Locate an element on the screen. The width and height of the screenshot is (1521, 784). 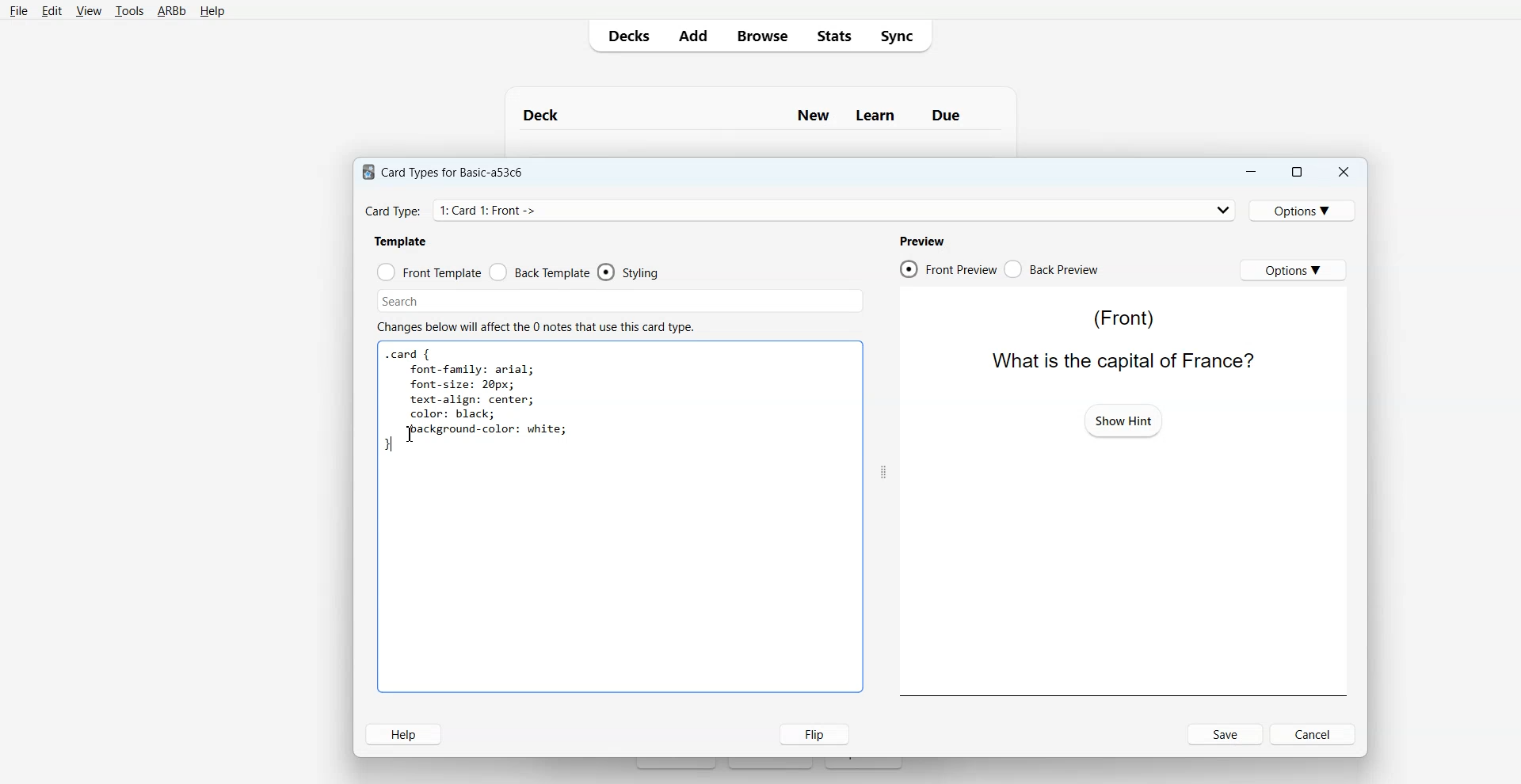
ARBb is located at coordinates (170, 12).